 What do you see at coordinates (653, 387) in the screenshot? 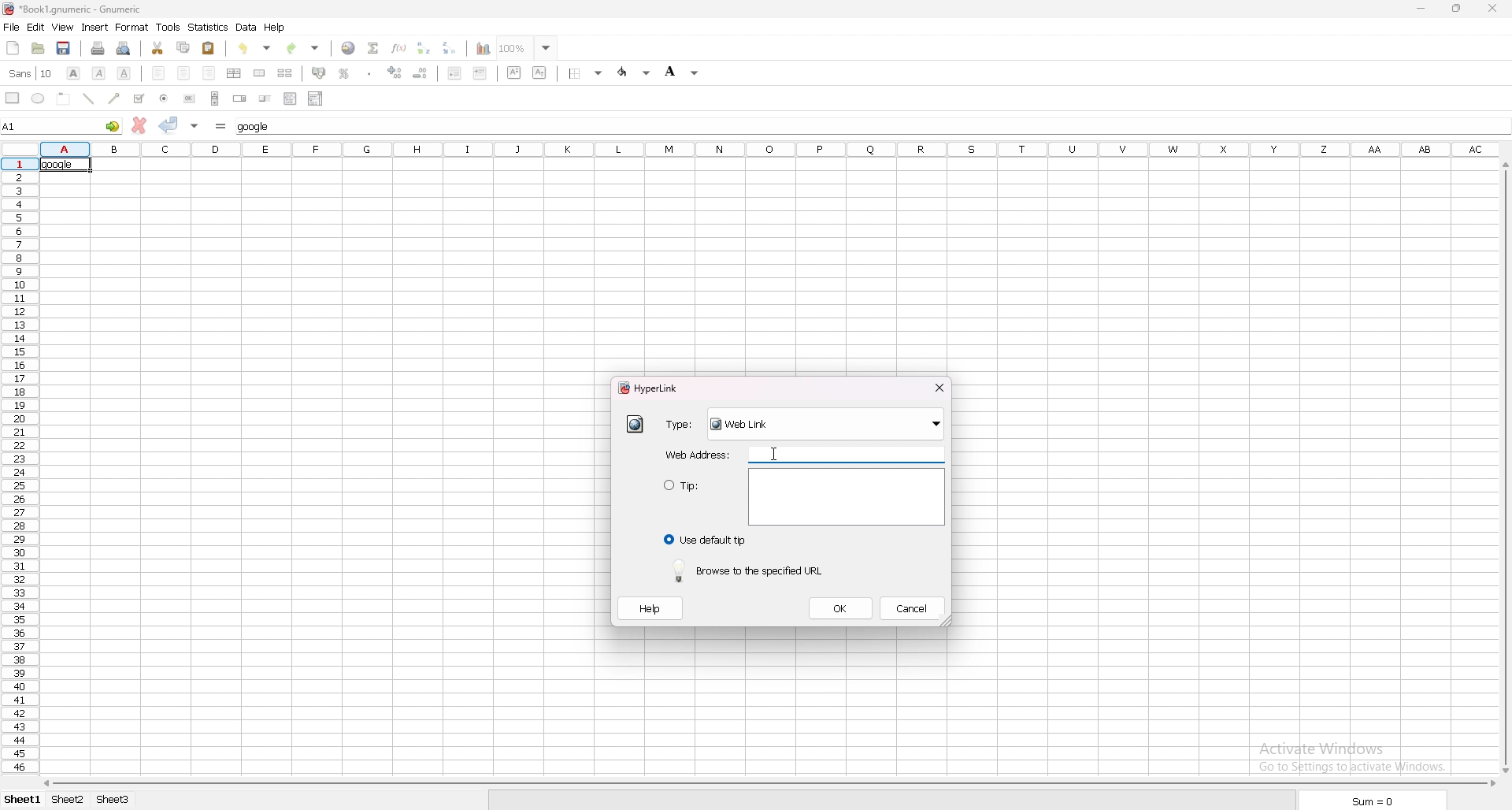
I see `hyperlink` at bounding box center [653, 387].